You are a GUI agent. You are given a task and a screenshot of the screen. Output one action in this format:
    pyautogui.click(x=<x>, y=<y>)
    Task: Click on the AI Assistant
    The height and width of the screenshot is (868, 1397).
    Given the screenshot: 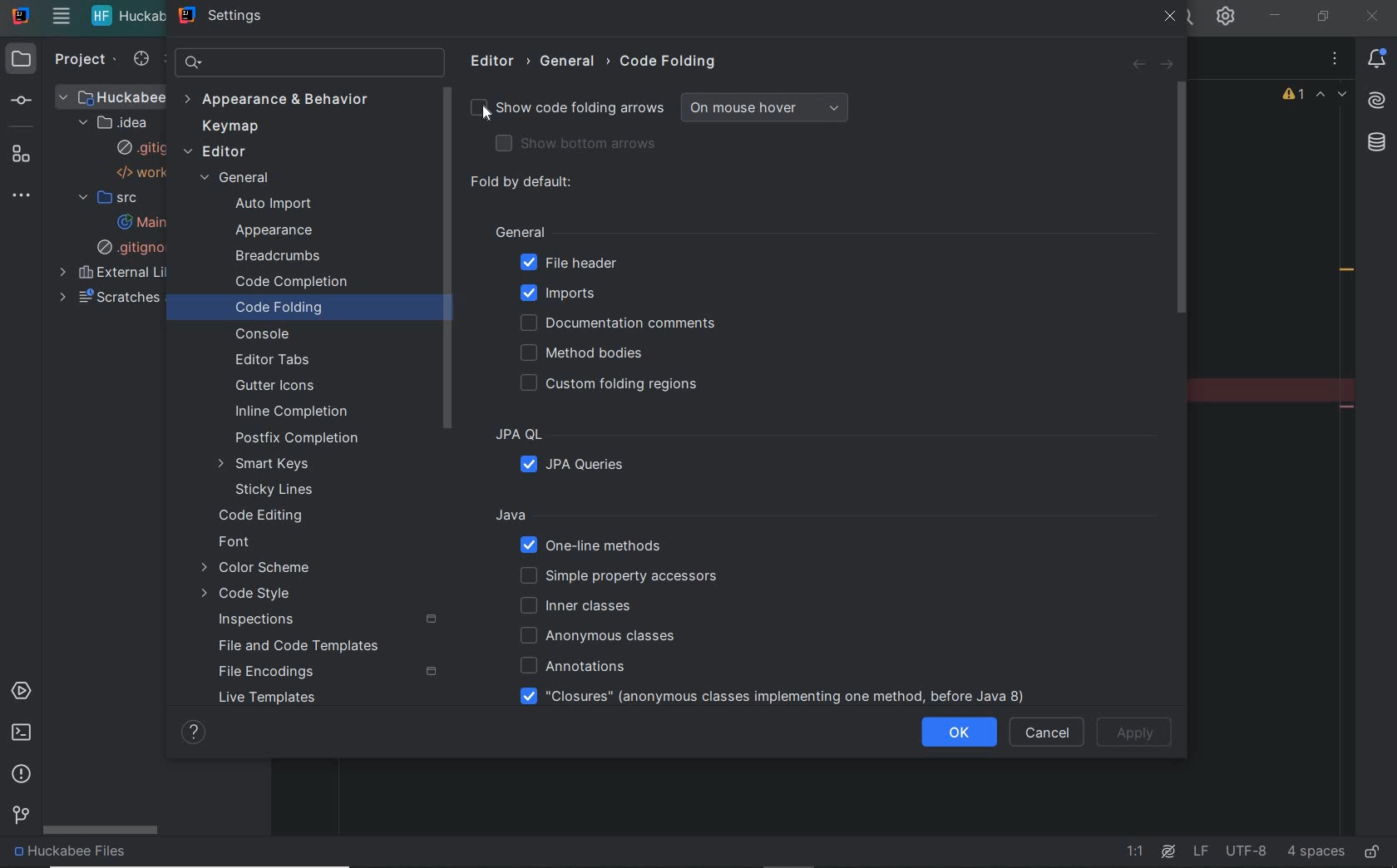 What is the action you would take?
    pyautogui.click(x=1168, y=851)
    